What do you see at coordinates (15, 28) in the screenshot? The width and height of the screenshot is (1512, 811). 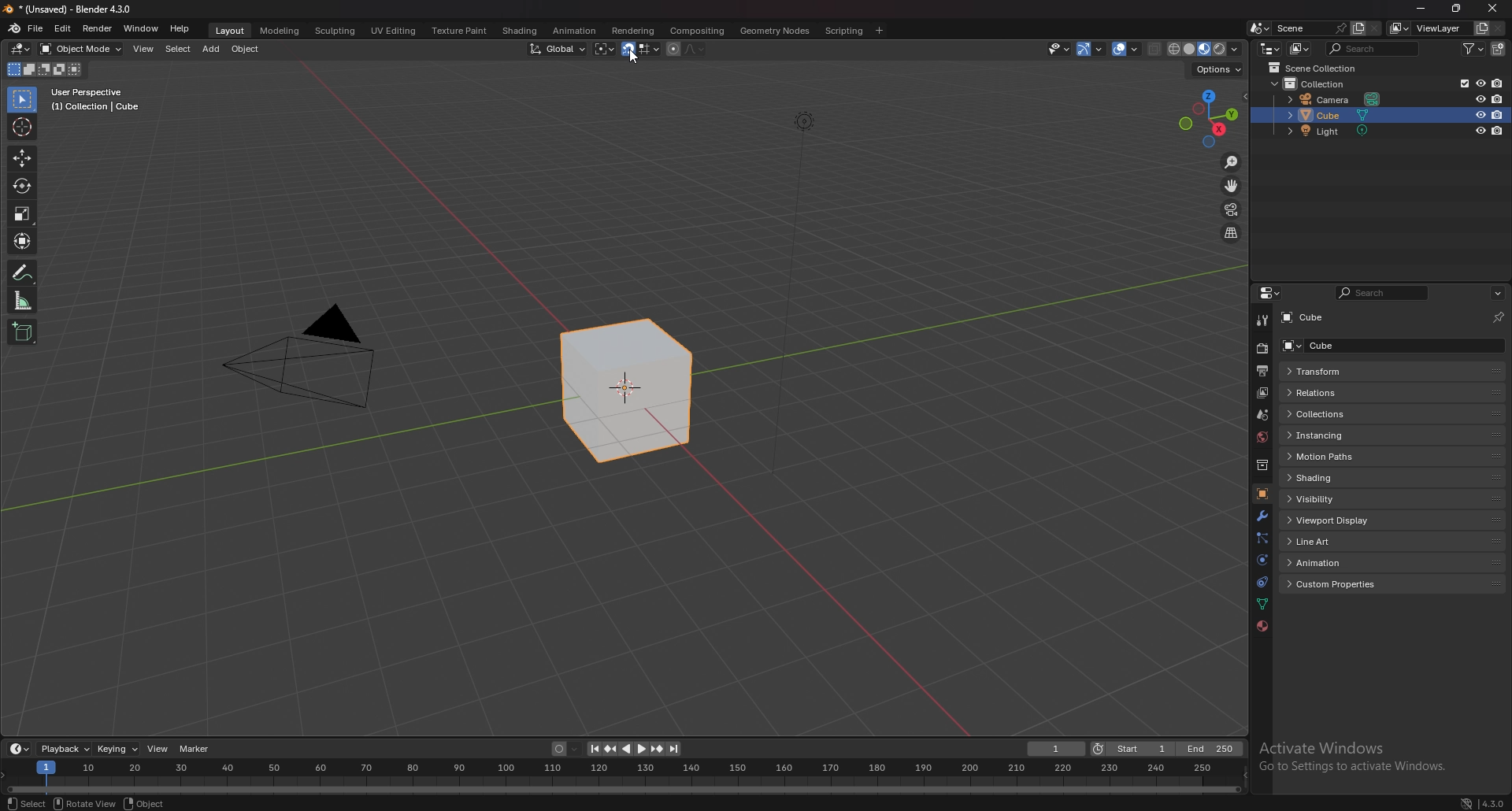 I see `blender` at bounding box center [15, 28].